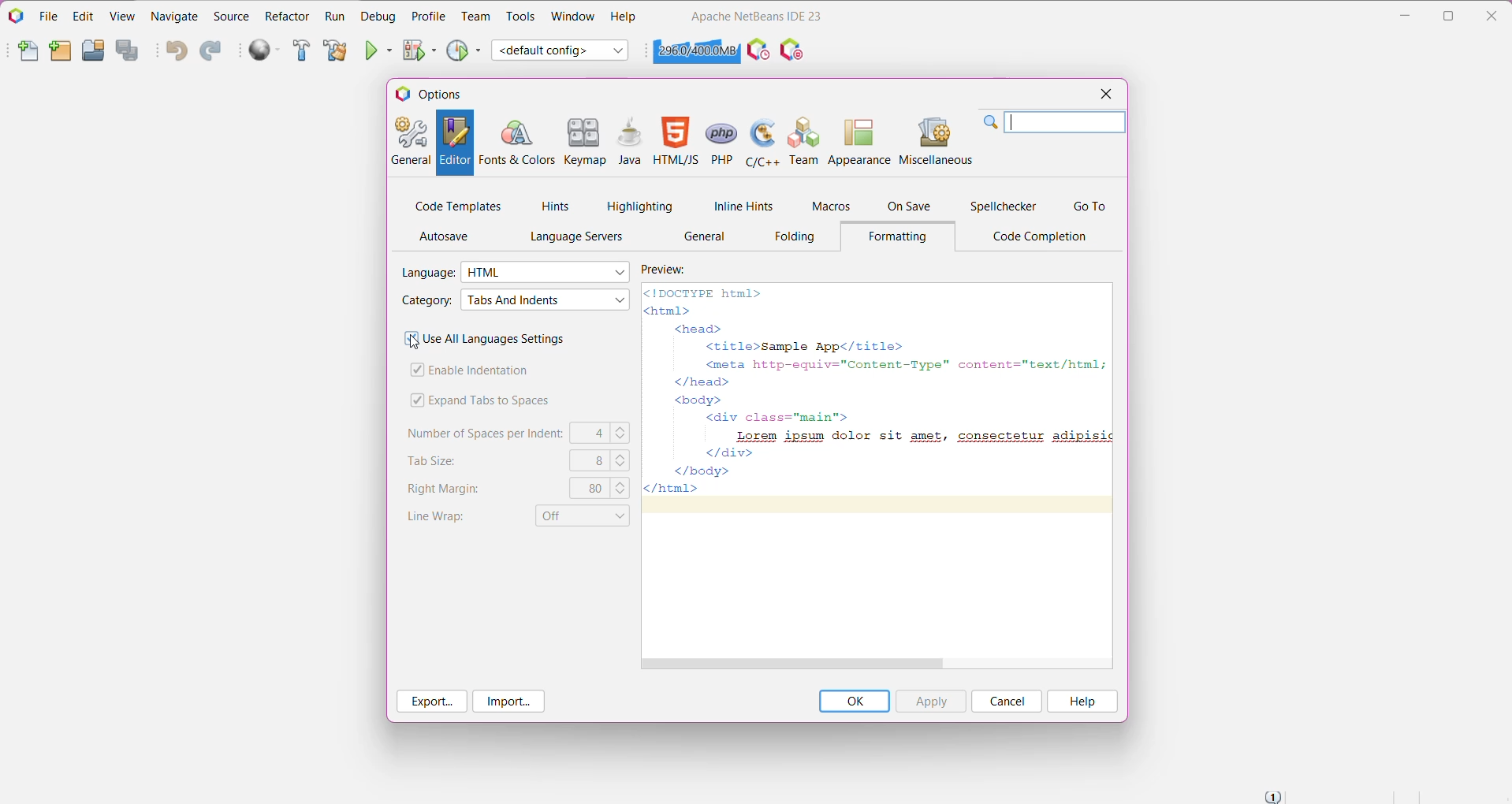  Describe the element at coordinates (28, 54) in the screenshot. I see `New File` at that location.